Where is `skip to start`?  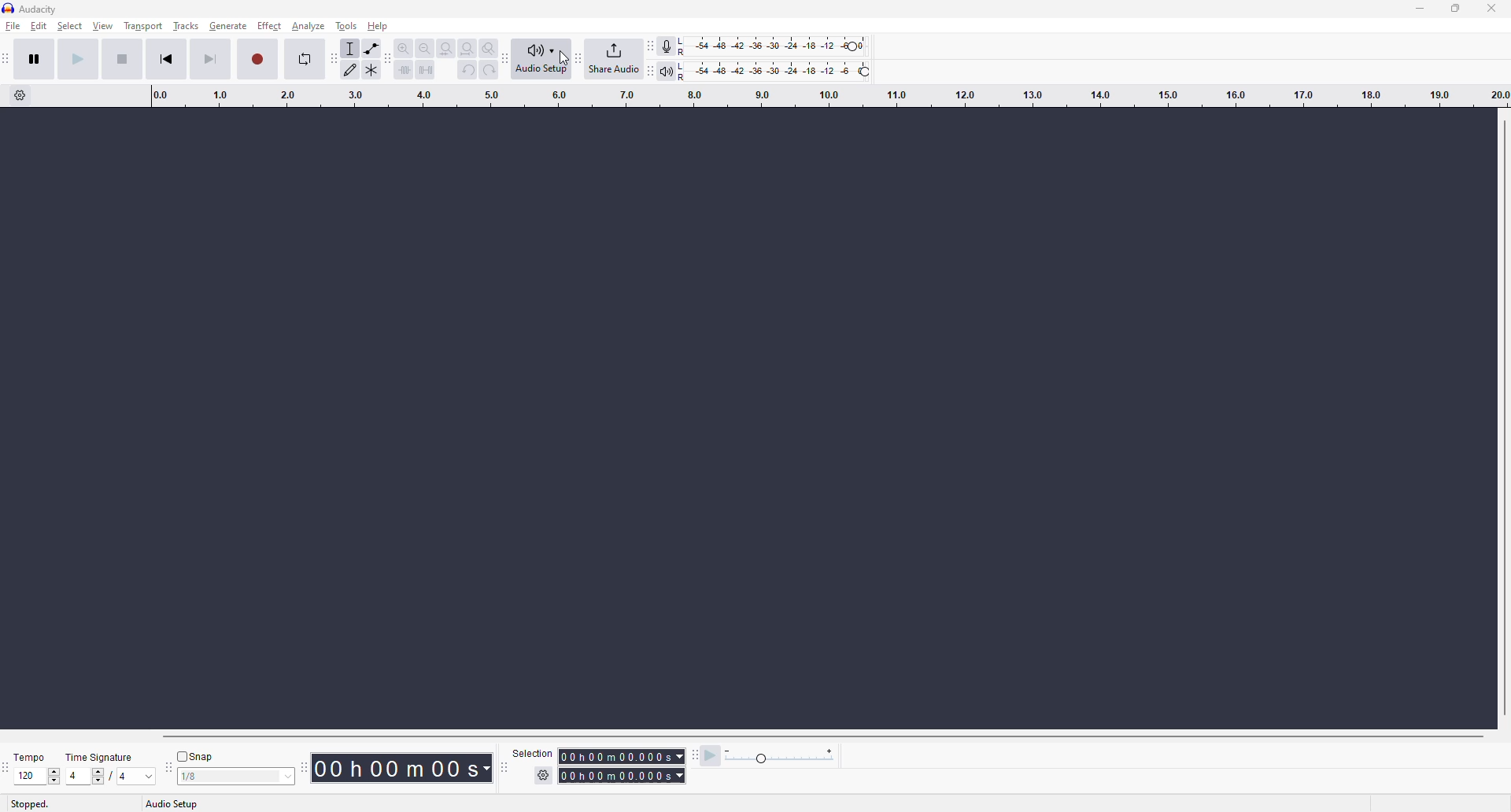 skip to start is located at coordinates (167, 59).